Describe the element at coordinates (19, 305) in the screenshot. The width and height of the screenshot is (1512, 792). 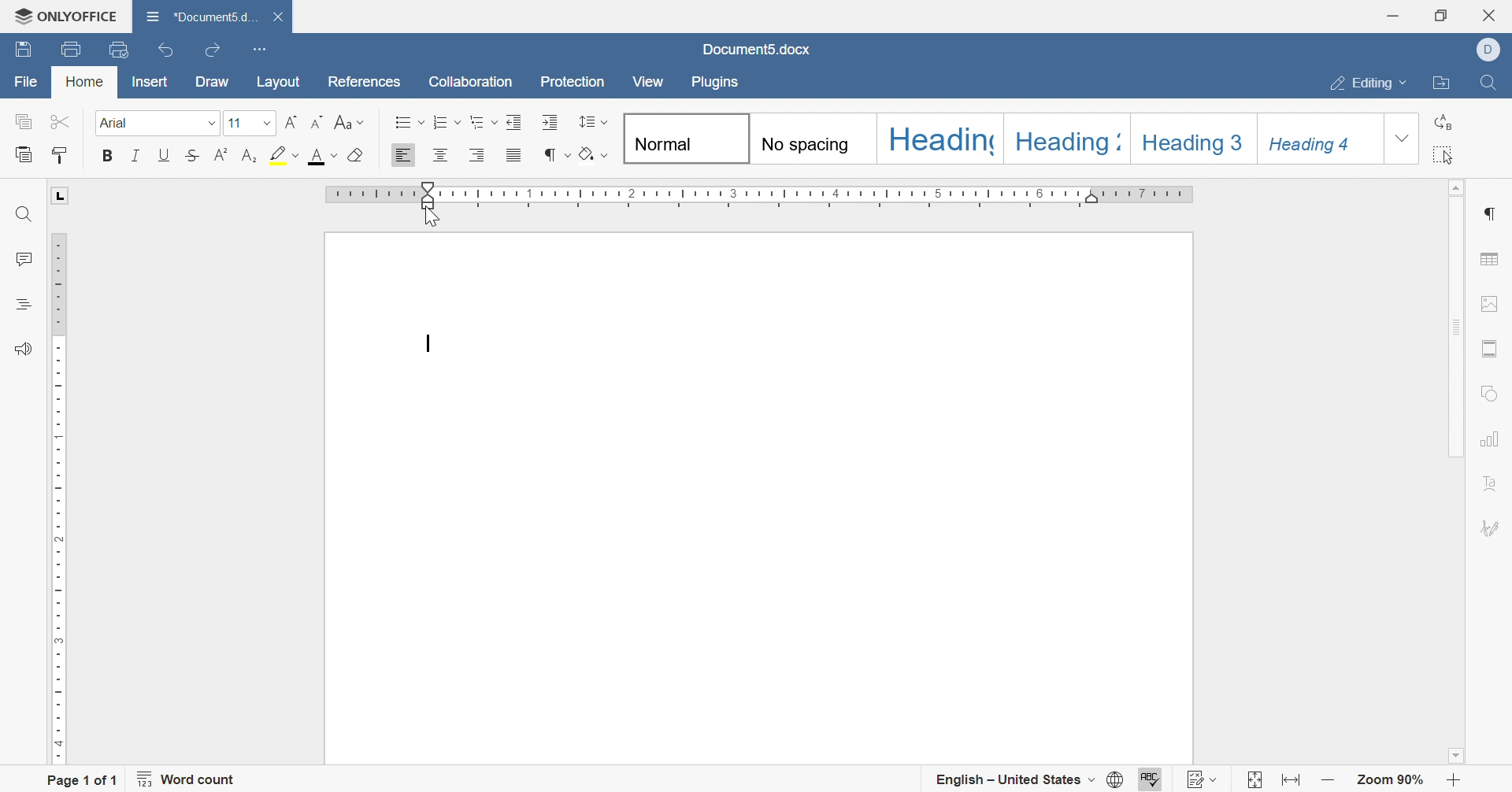
I see `headings` at that location.